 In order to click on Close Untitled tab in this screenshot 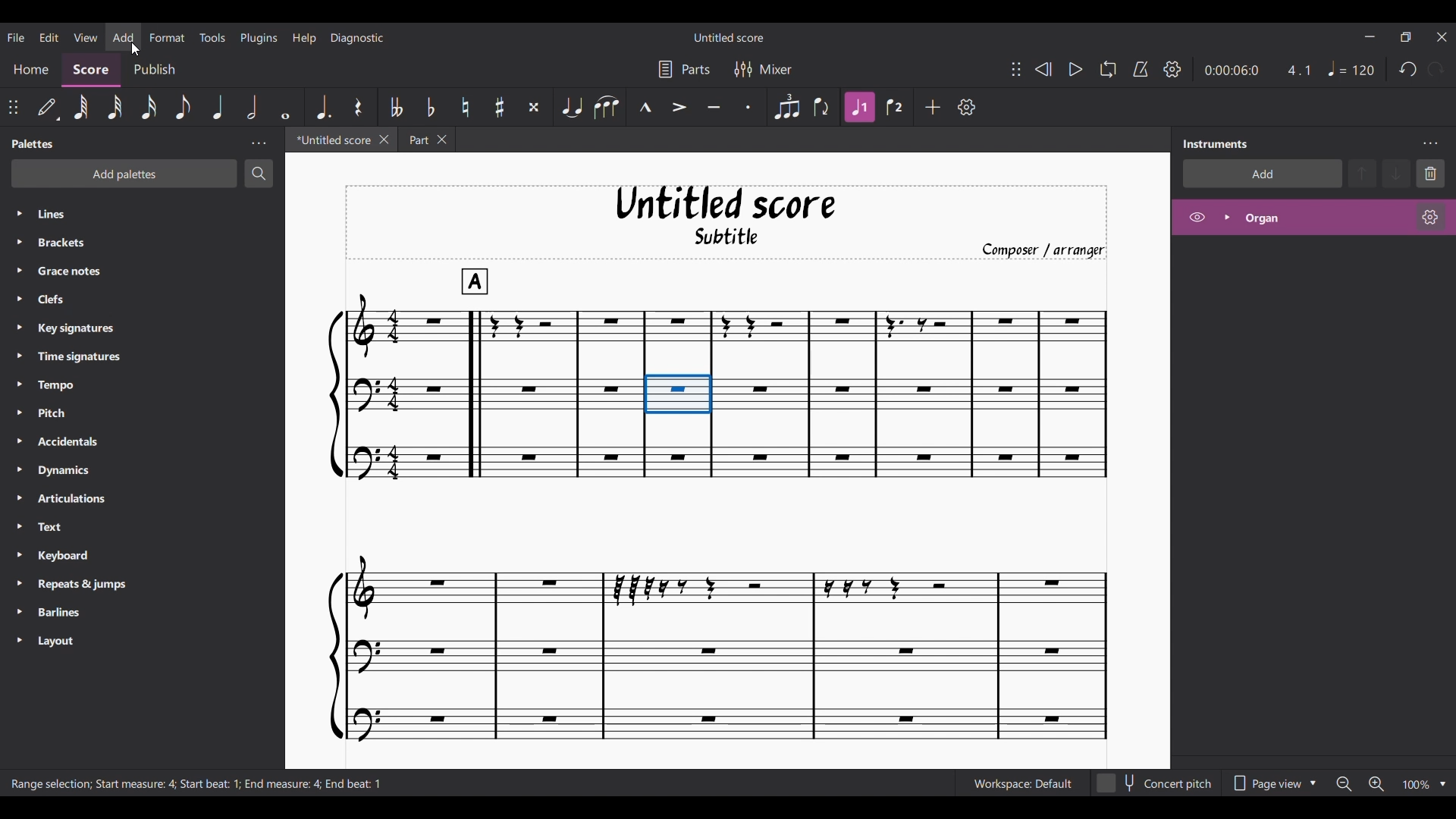, I will do `click(384, 140)`.